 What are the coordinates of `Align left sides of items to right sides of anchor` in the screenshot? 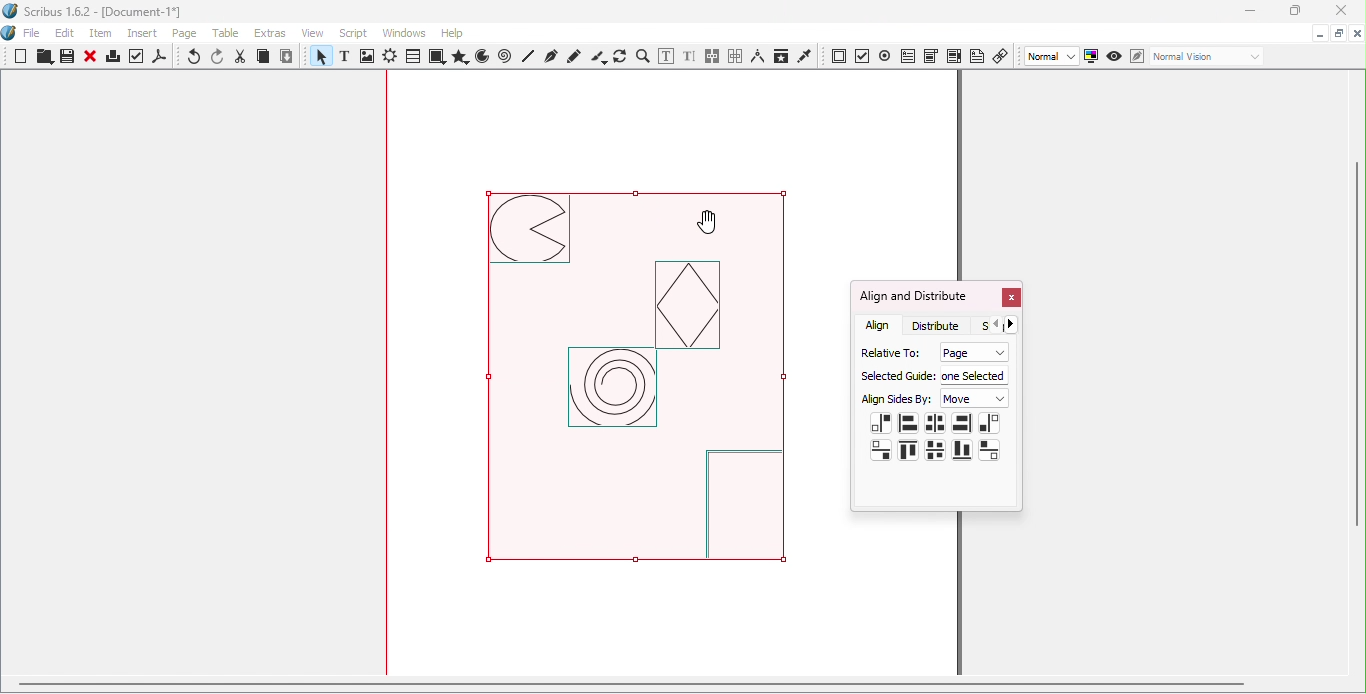 It's located at (989, 424).